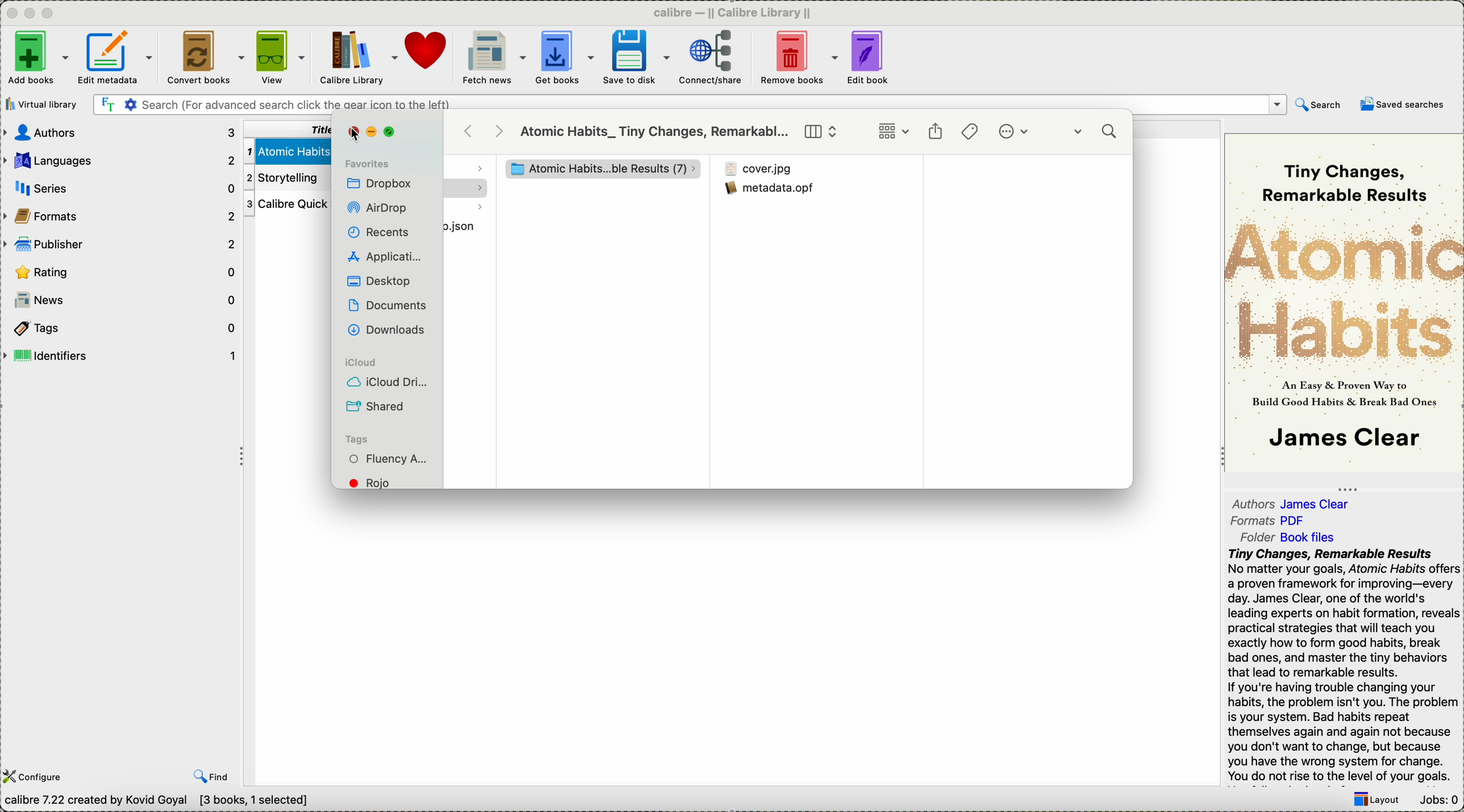  Describe the element at coordinates (392, 132) in the screenshot. I see `maximize window` at that location.